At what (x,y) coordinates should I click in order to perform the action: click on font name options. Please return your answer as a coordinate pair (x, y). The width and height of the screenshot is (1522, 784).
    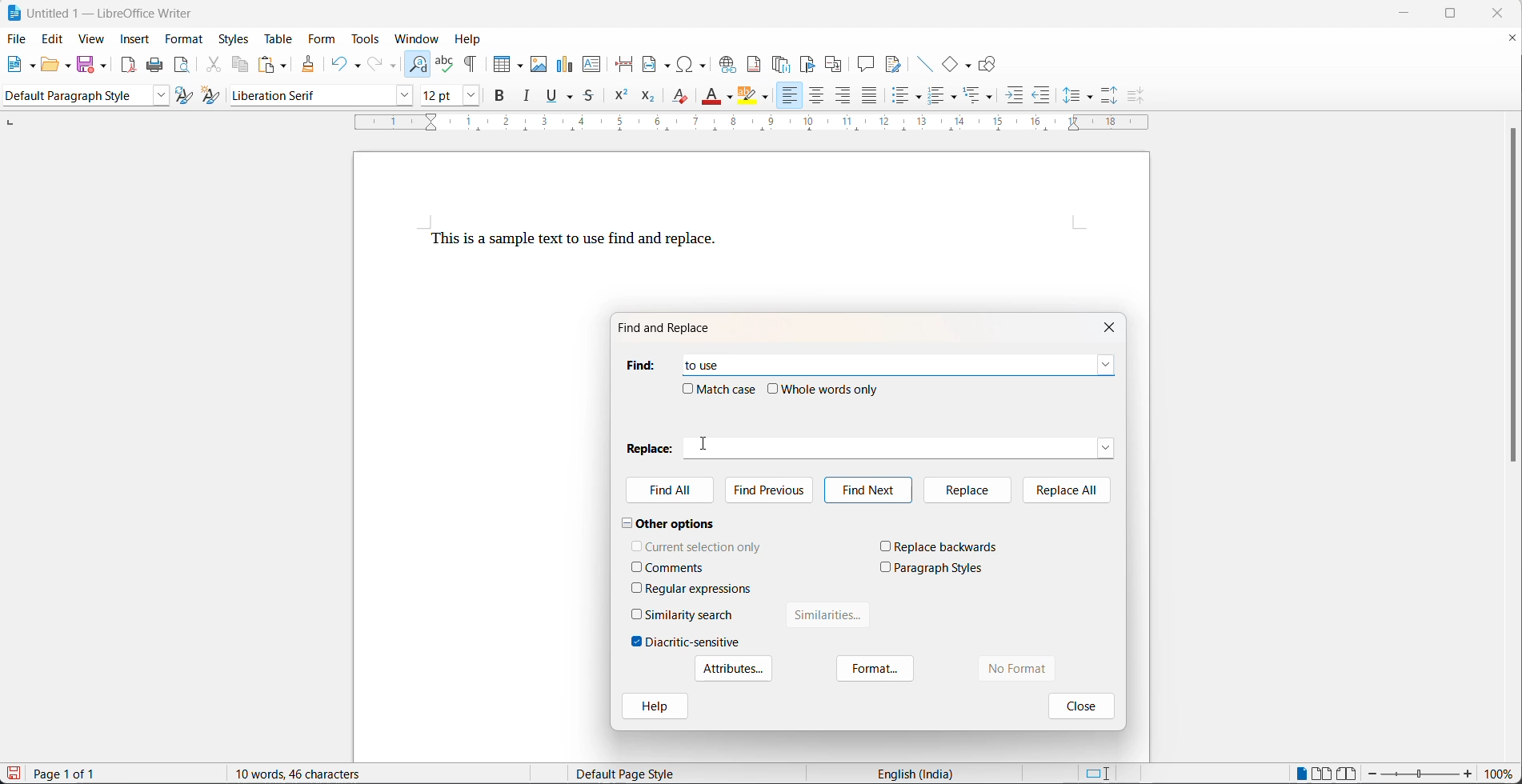
    Looking at the image, I should click on (401, 96).